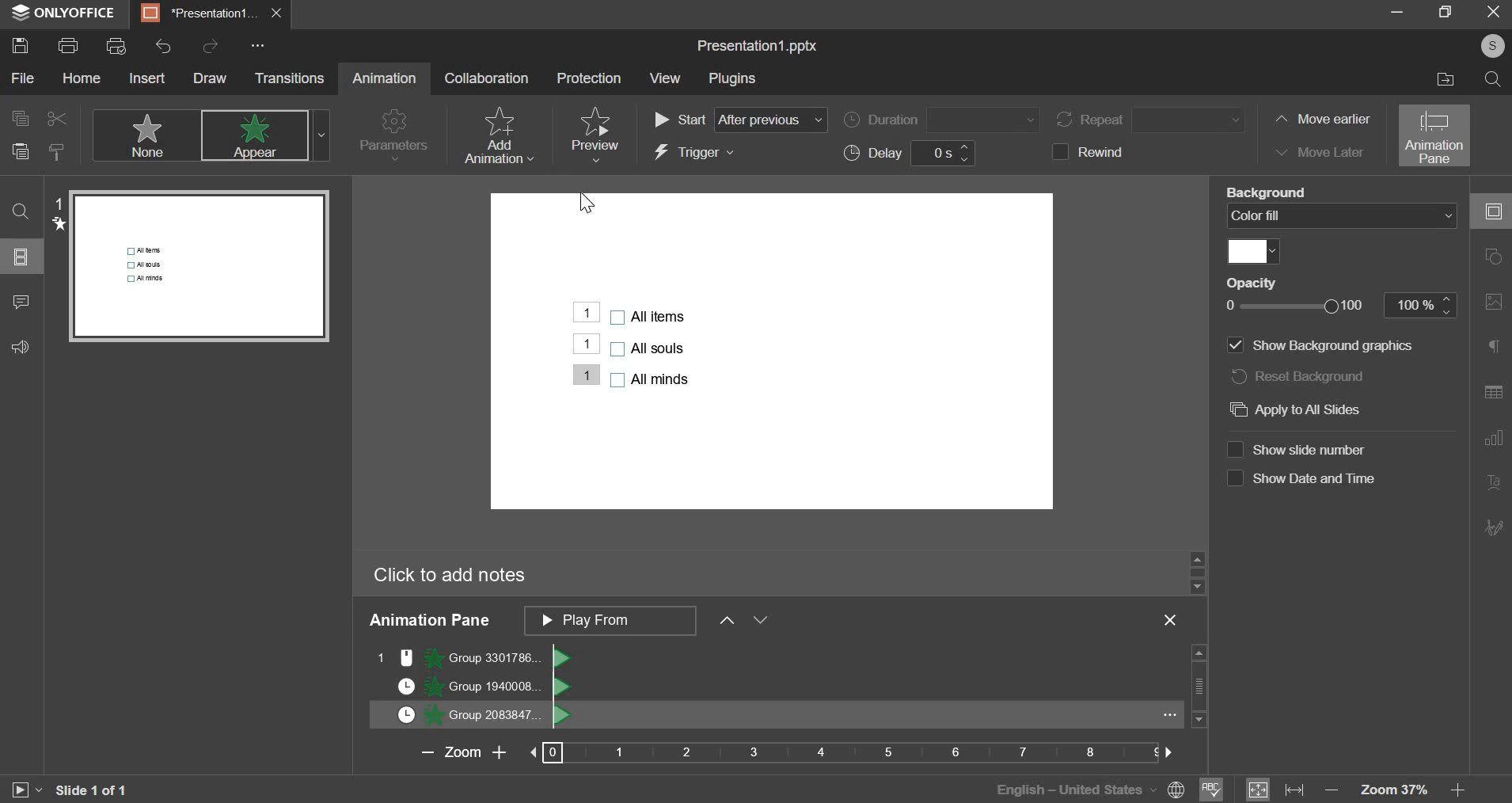 This screenshot has height=803, width=1512. I want to click on slide 1 of 1, so click(90, 790).